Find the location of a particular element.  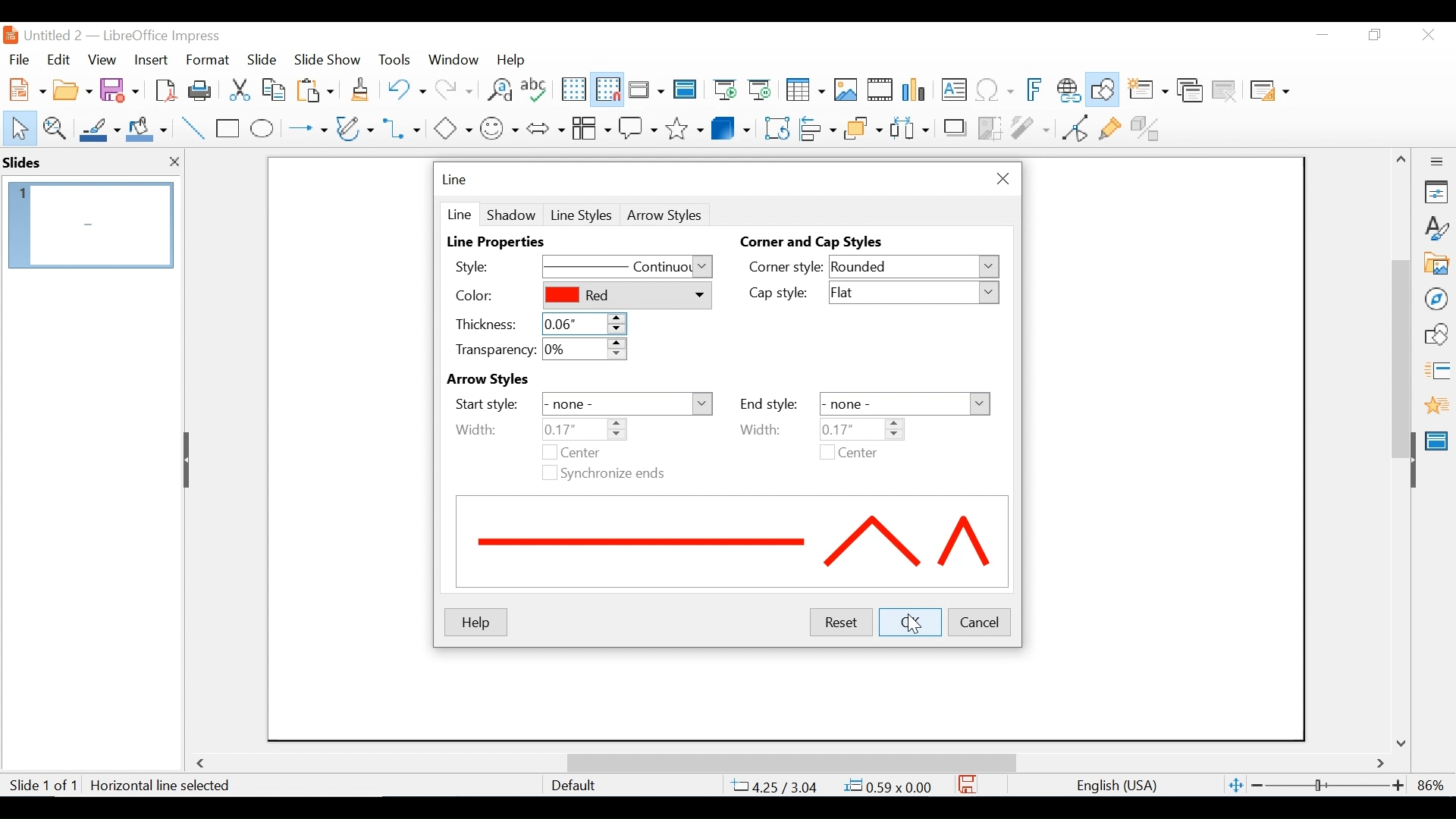

Scroll Right is located at coordinates (1381, 764).